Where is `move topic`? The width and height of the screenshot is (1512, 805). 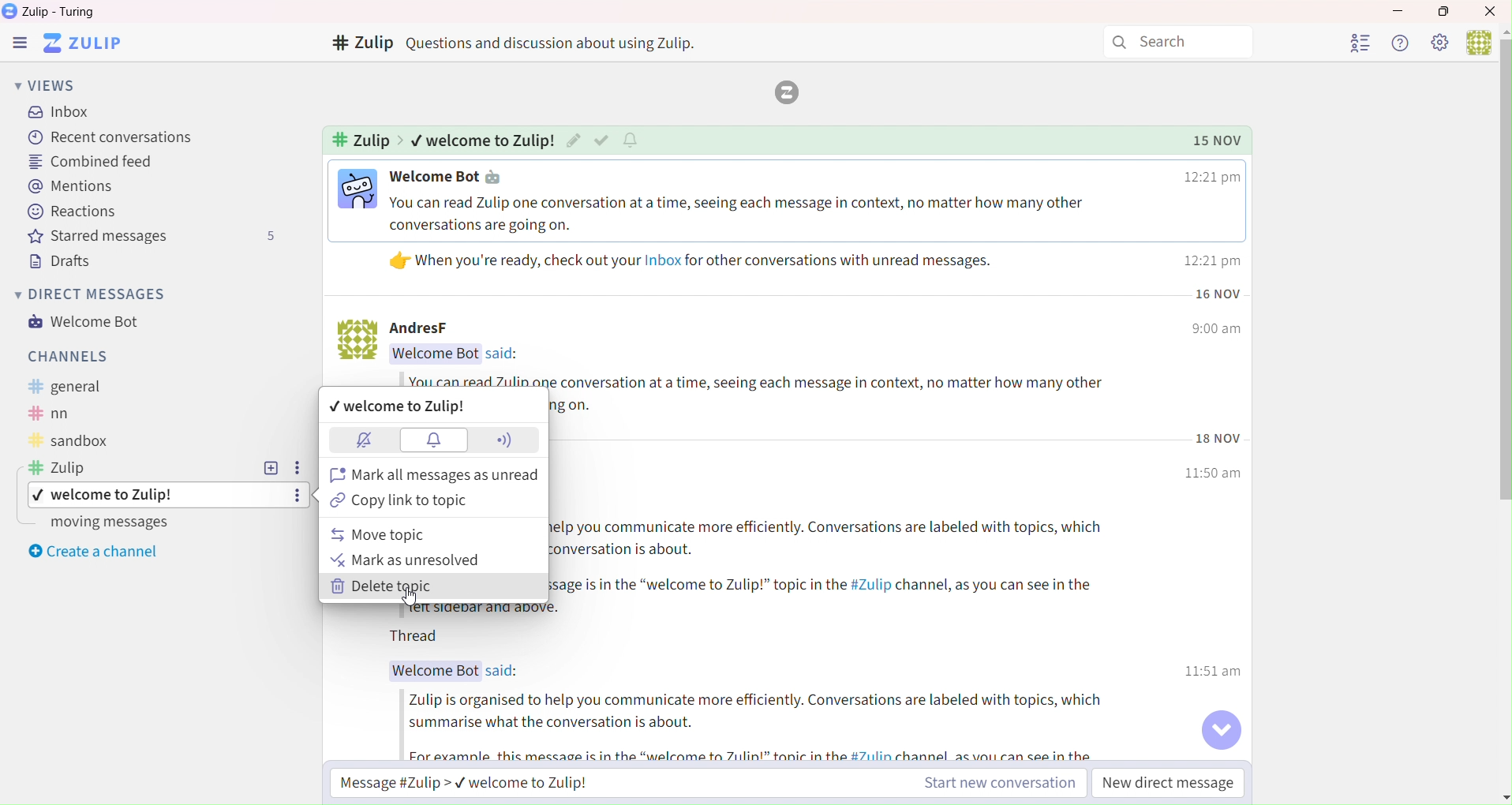 move topic is located at coordinates (395, 535).